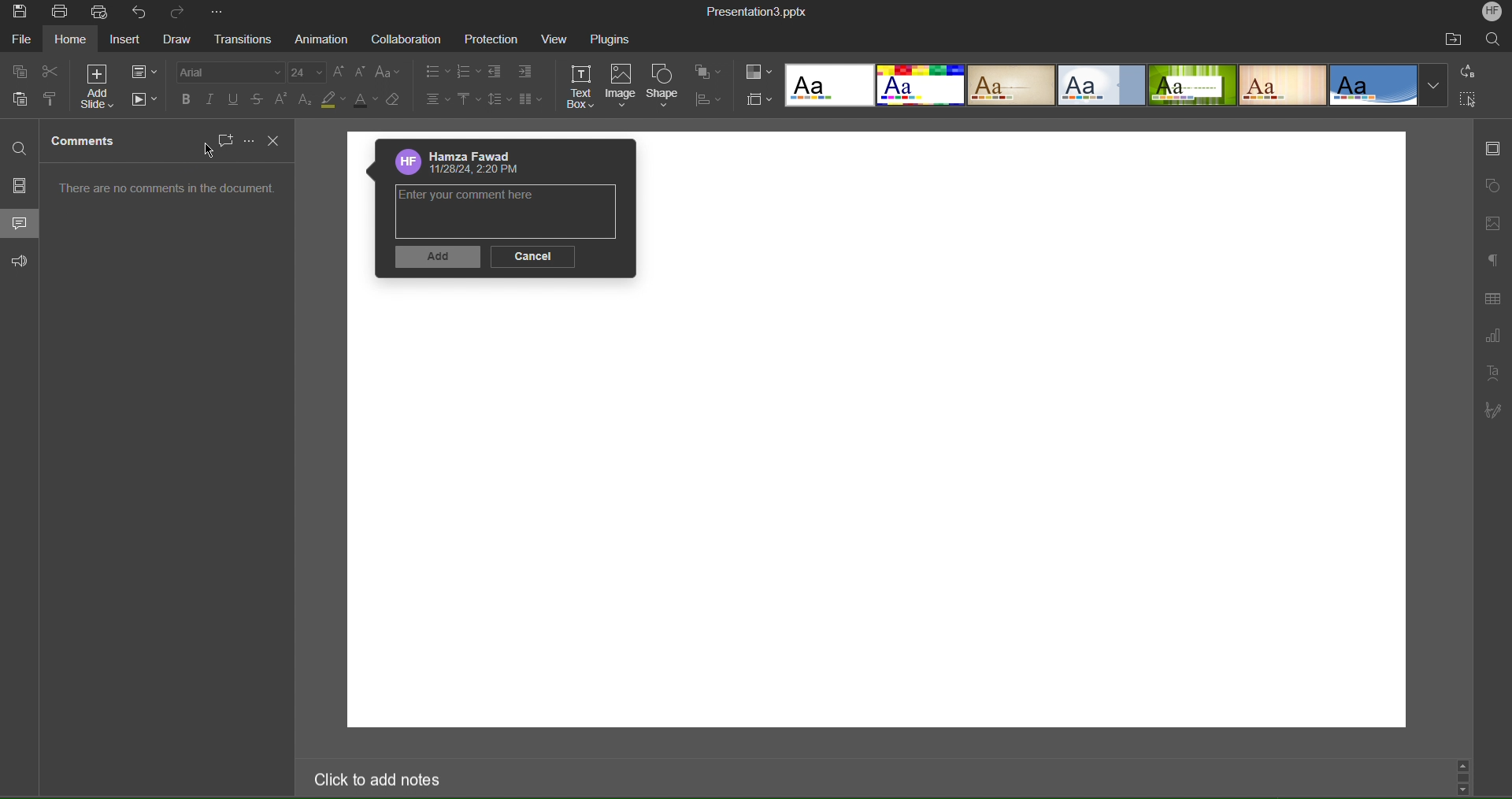  I want to click on Erase Style, so click(395, 101).